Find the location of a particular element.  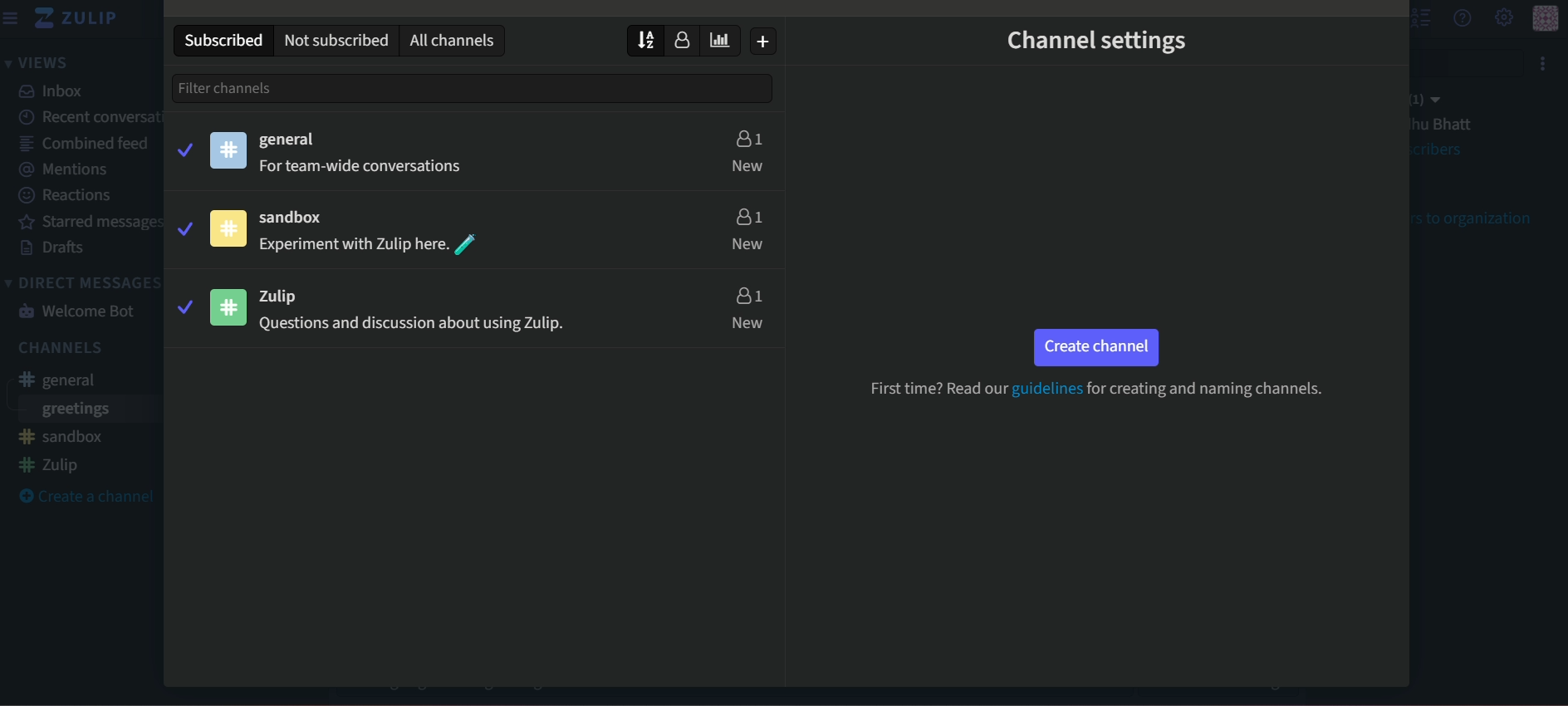

sandbox is located at coordinates (292, 218).